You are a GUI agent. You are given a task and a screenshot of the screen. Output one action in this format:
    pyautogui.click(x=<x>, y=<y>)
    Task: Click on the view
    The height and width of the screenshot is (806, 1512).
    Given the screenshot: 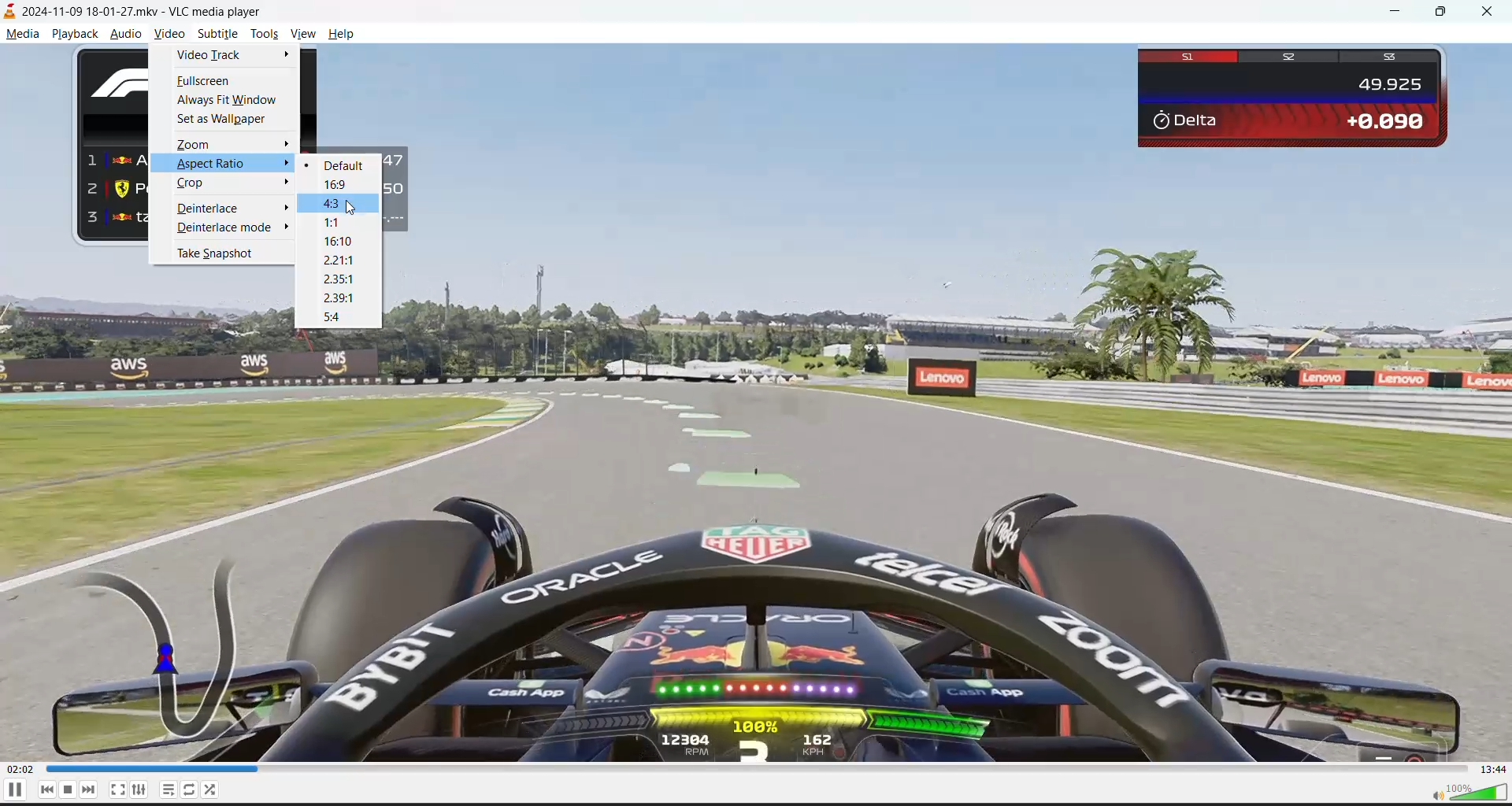 What is the action you would take?
    pyautogui.click(x=306, y=35)
    